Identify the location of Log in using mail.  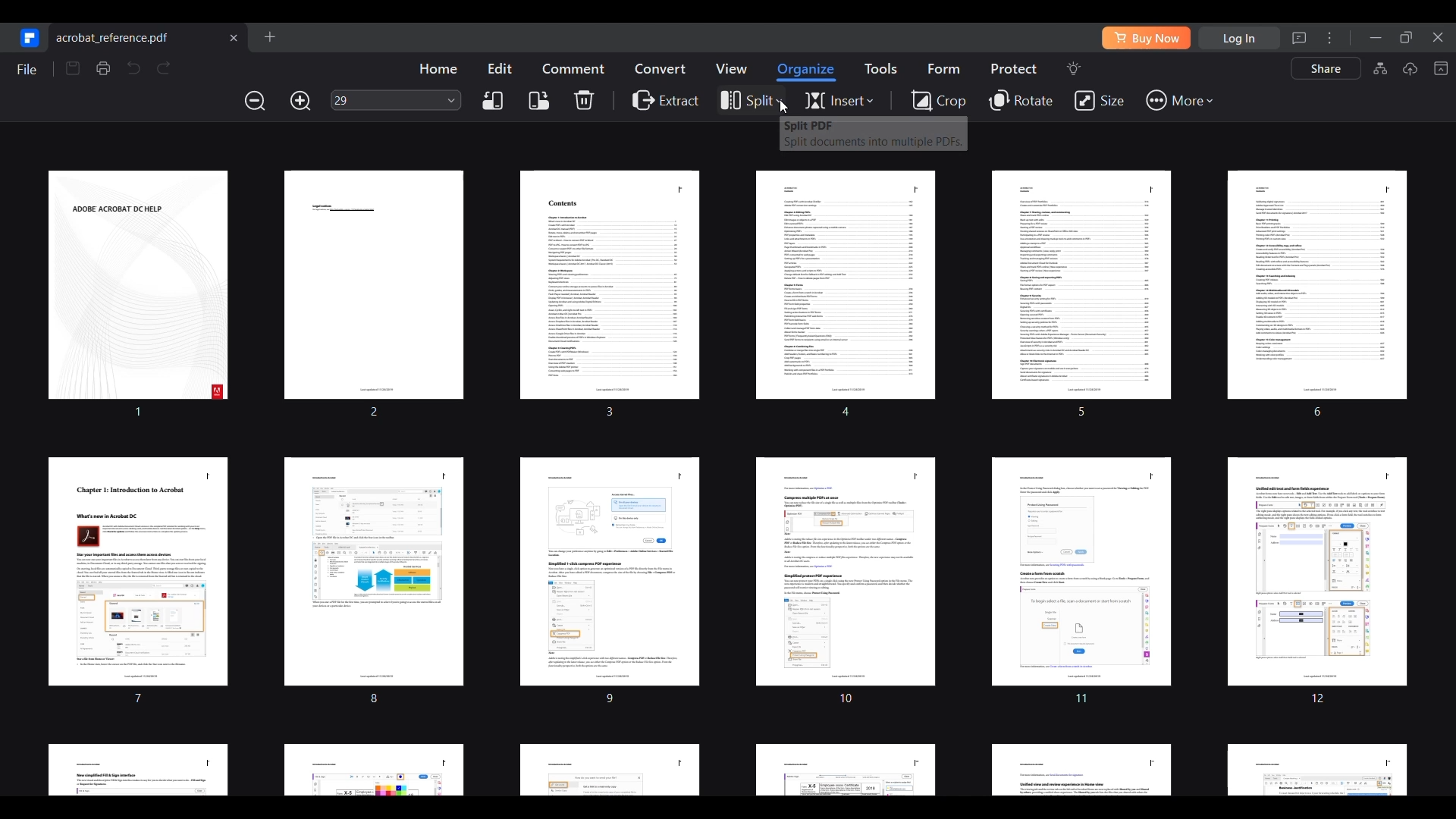
(1239, 38).